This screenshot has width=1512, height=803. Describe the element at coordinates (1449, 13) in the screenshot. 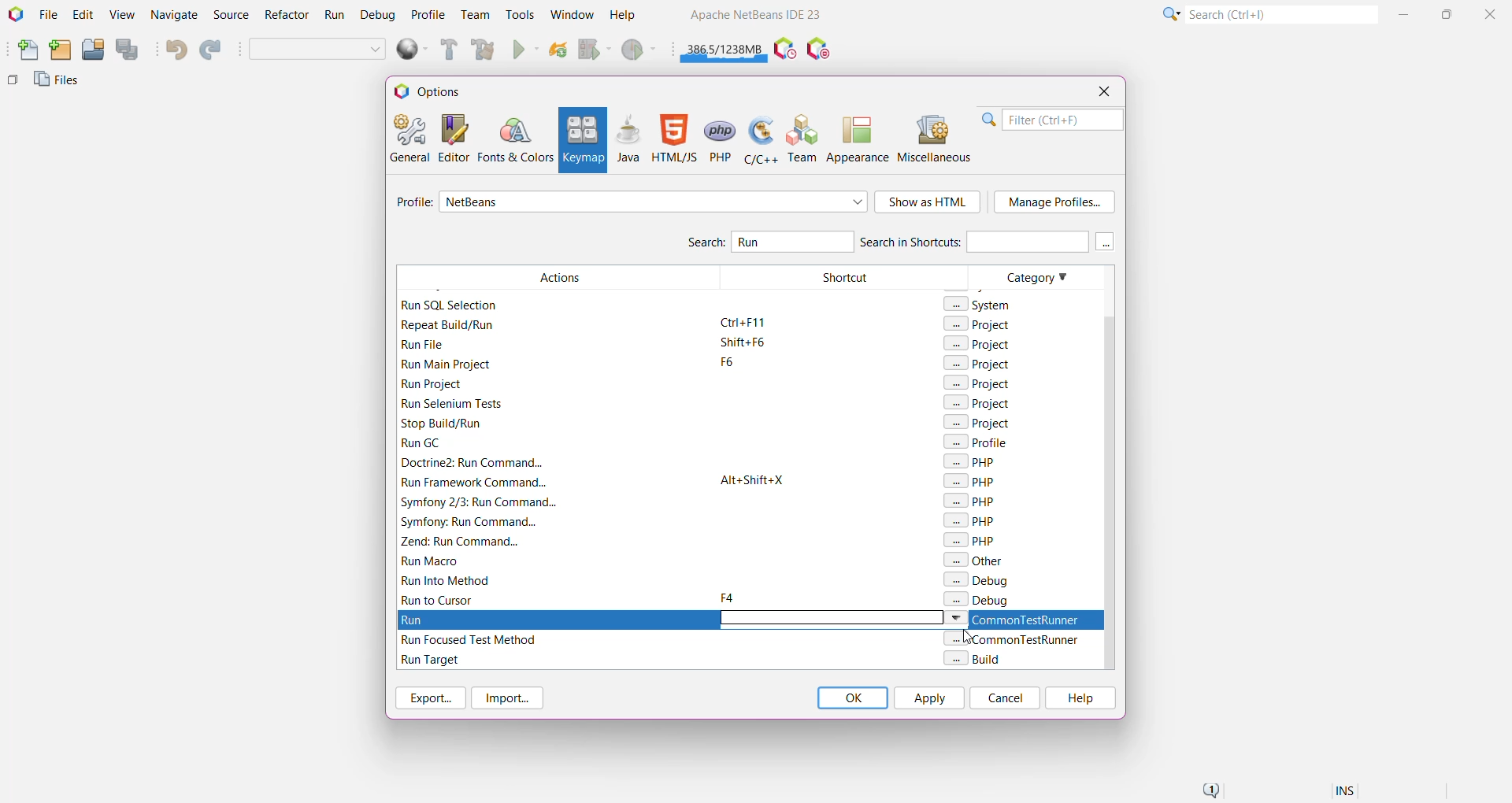

I see `Maximize` at that location.